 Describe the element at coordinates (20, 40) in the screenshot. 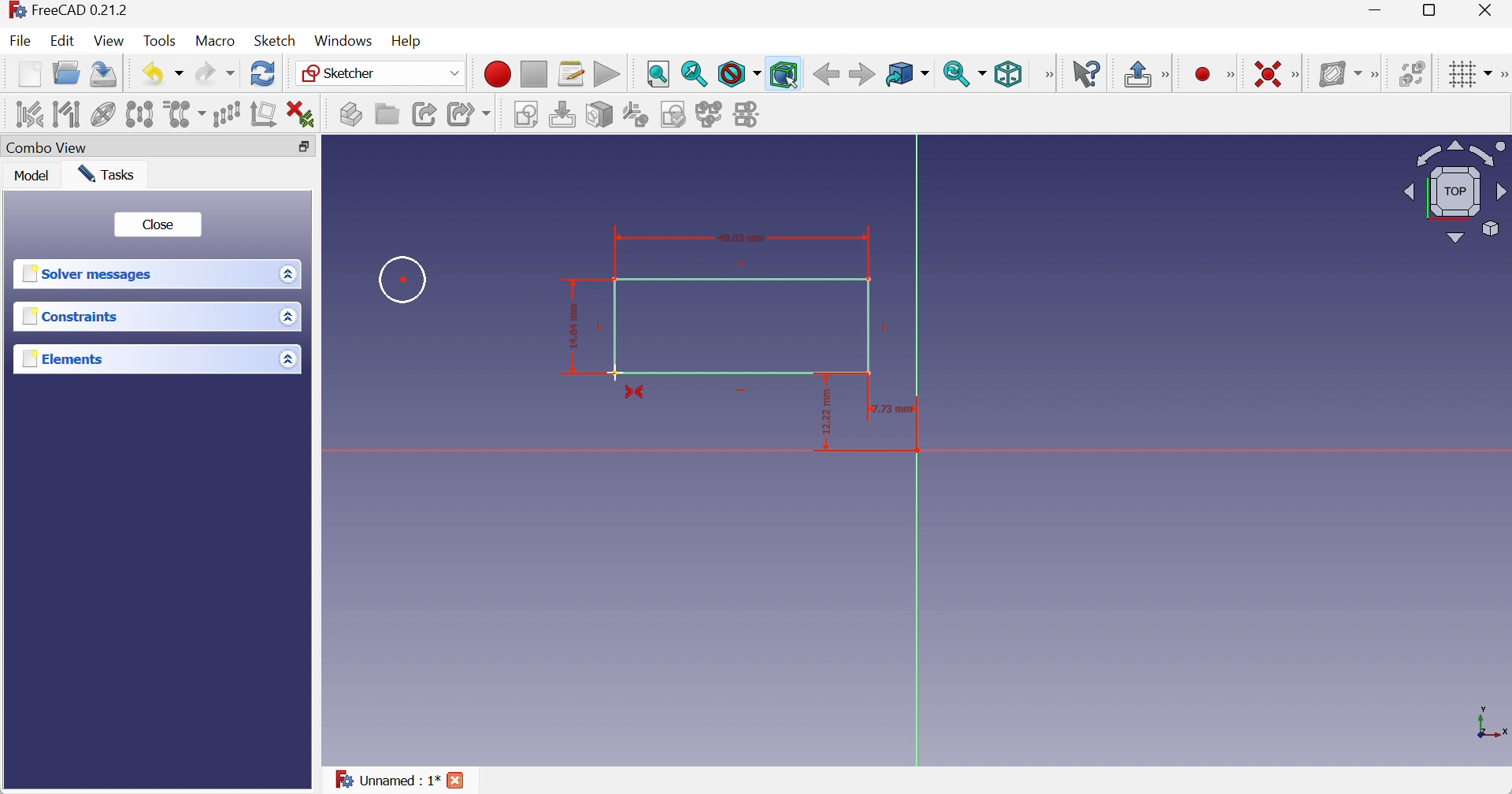

I see `File` at that location.